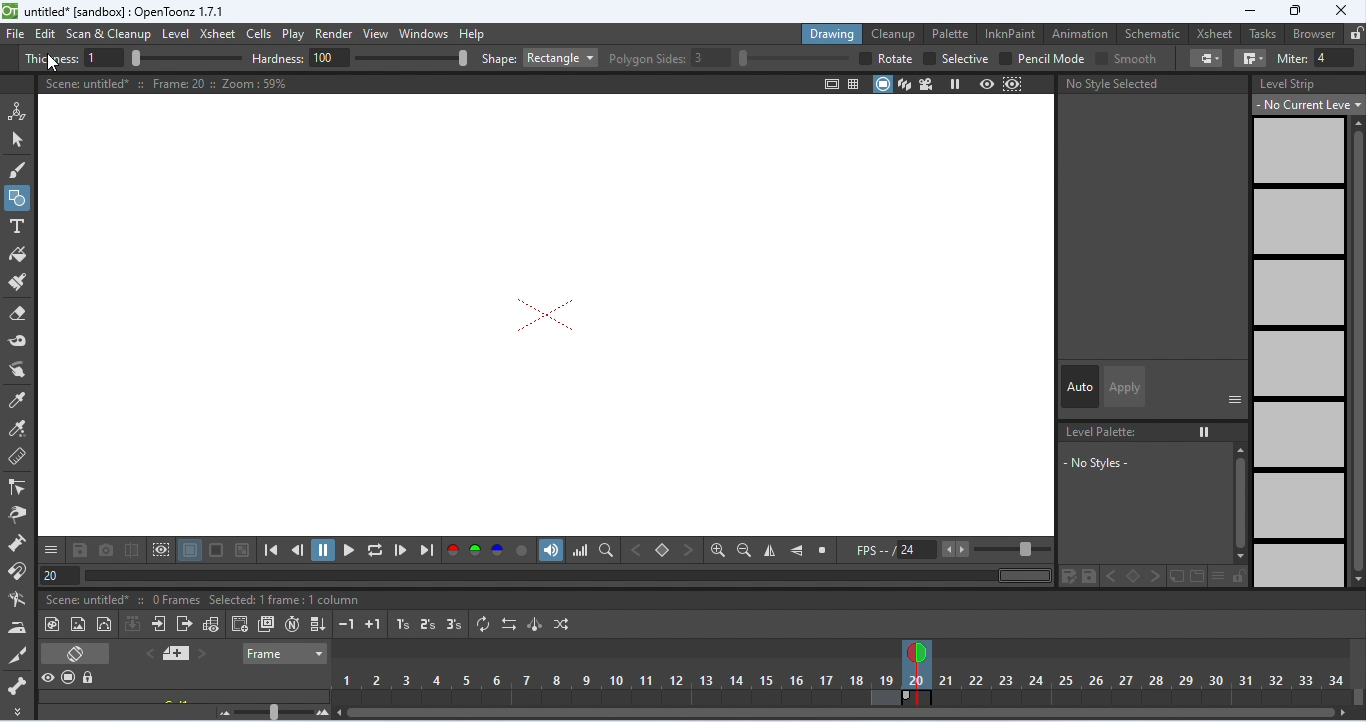 This screenshot has width=1366, height=722. What do you see at coordinates (48, 697) in the screenshot?
I see `toggle visibility` at bounding box center [48, 697].